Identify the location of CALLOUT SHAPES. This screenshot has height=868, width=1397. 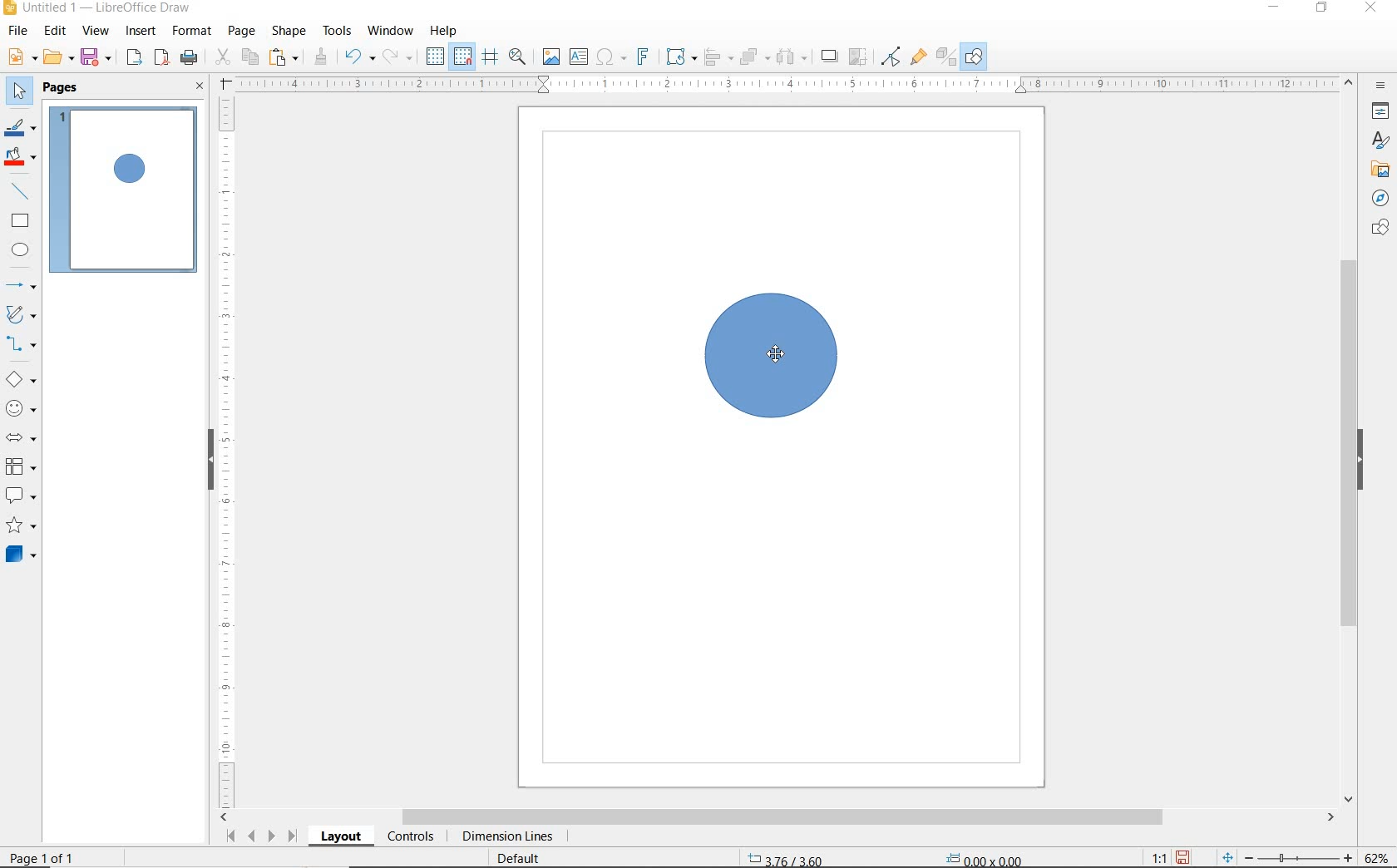
(22, 496).